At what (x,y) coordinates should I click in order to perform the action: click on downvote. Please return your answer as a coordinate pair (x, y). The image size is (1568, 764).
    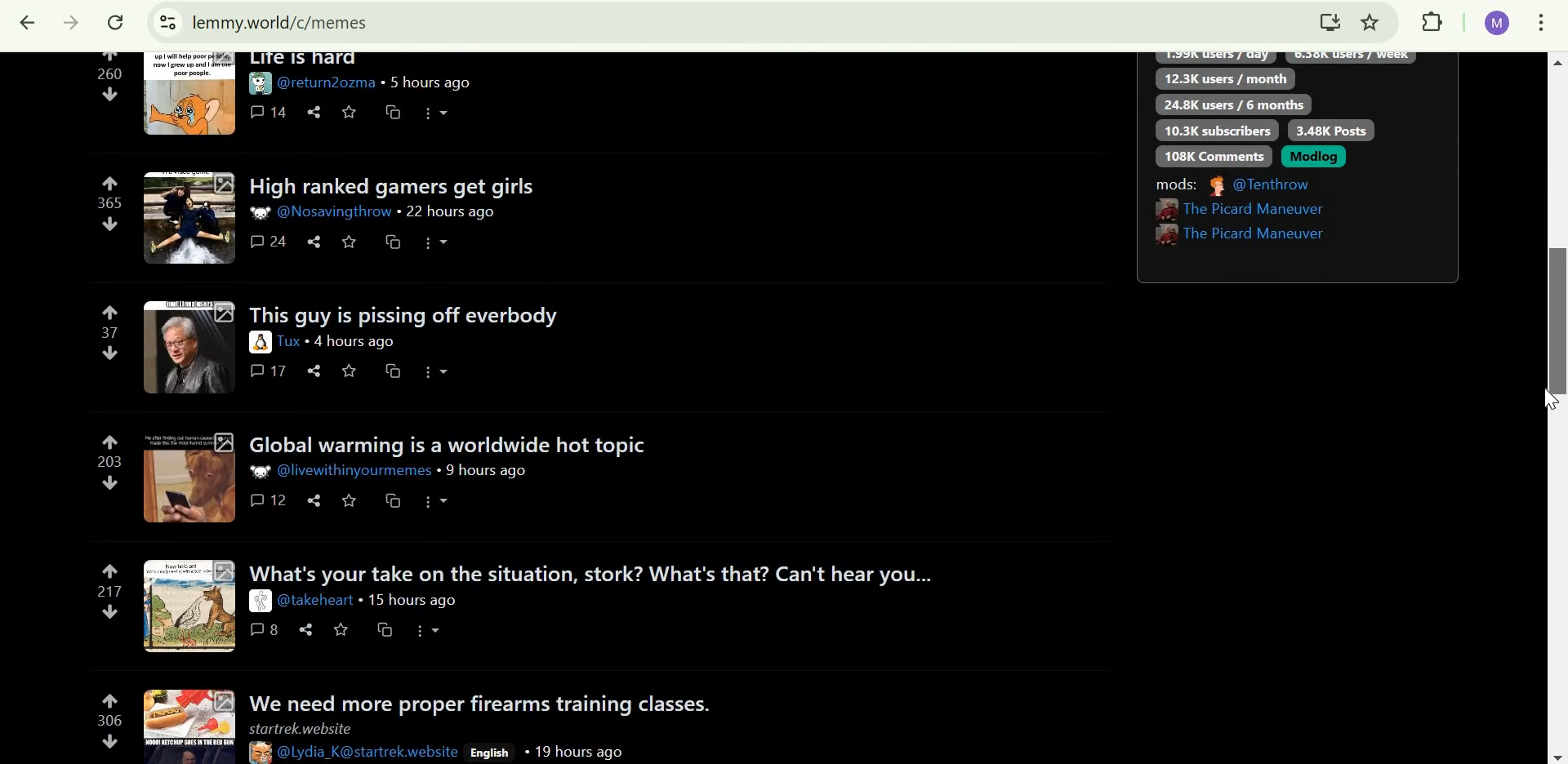
    Looking at the image, I should click on (109, 483).